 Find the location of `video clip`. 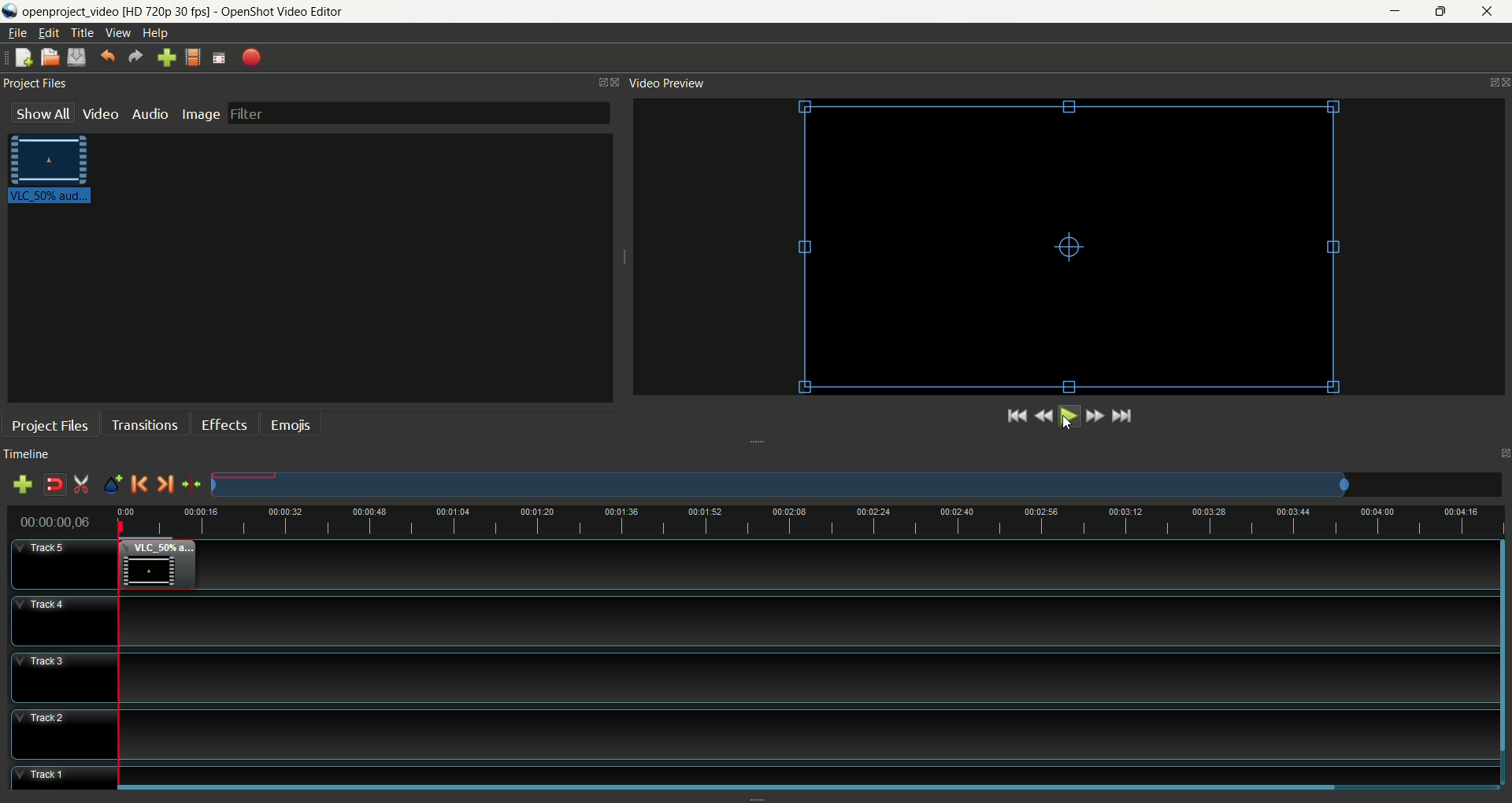

video clip is located at coordinates (157, 565).